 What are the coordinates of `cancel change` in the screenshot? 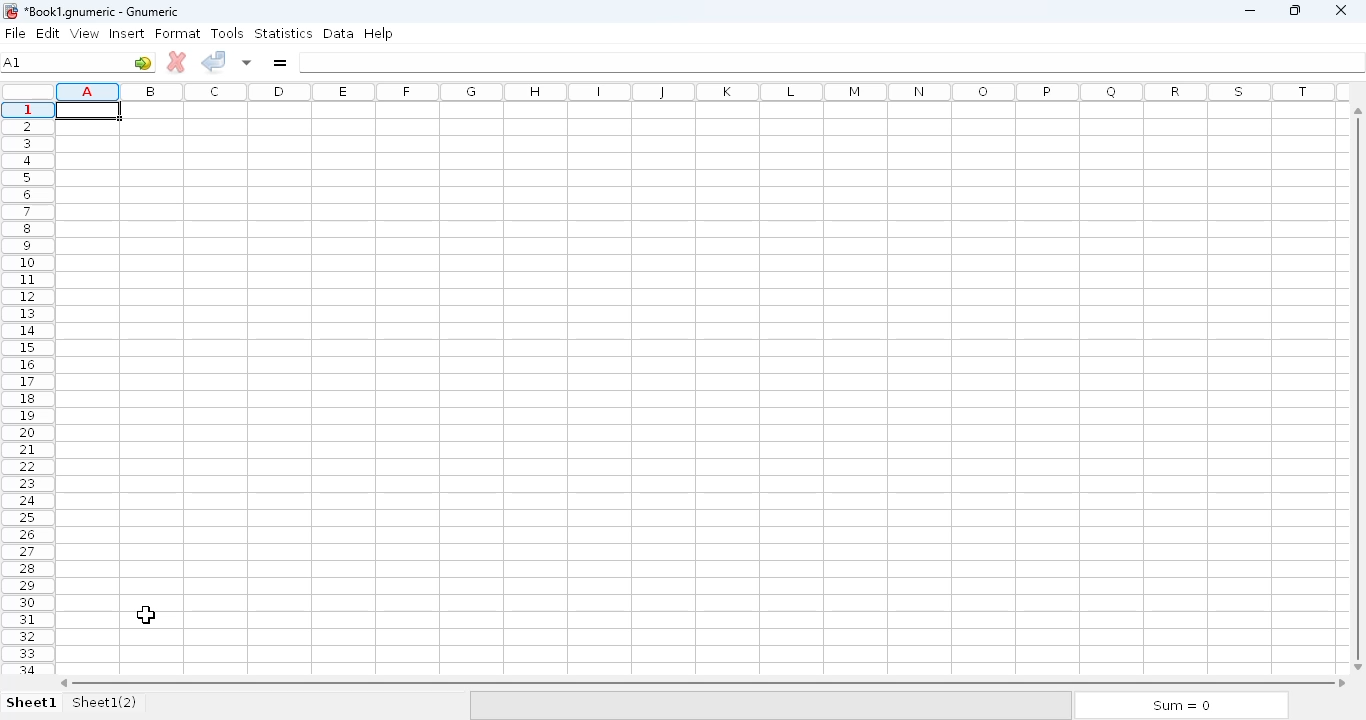 It's located at (177, 62).